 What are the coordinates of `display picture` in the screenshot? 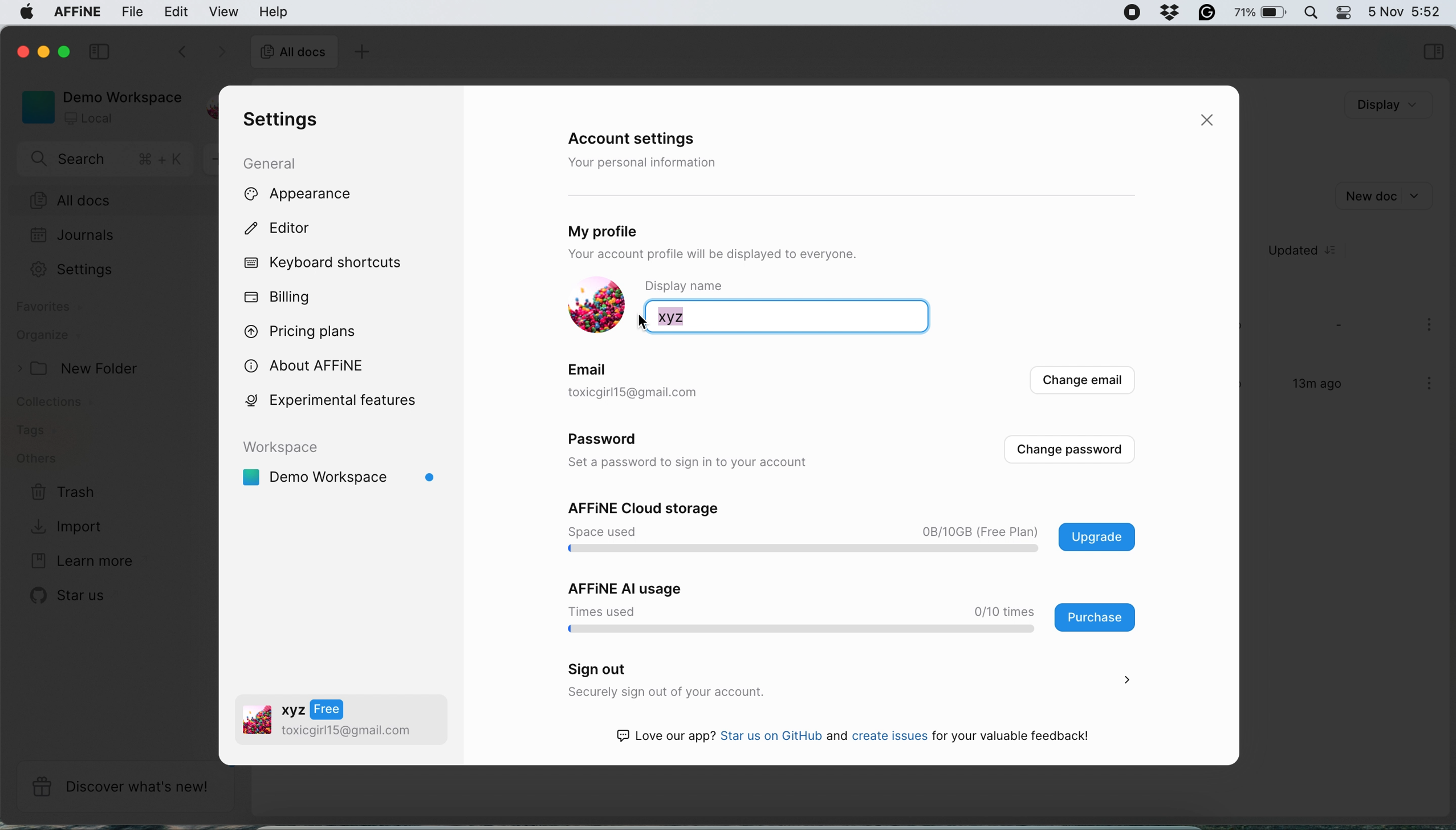 It's located at (591, 306).